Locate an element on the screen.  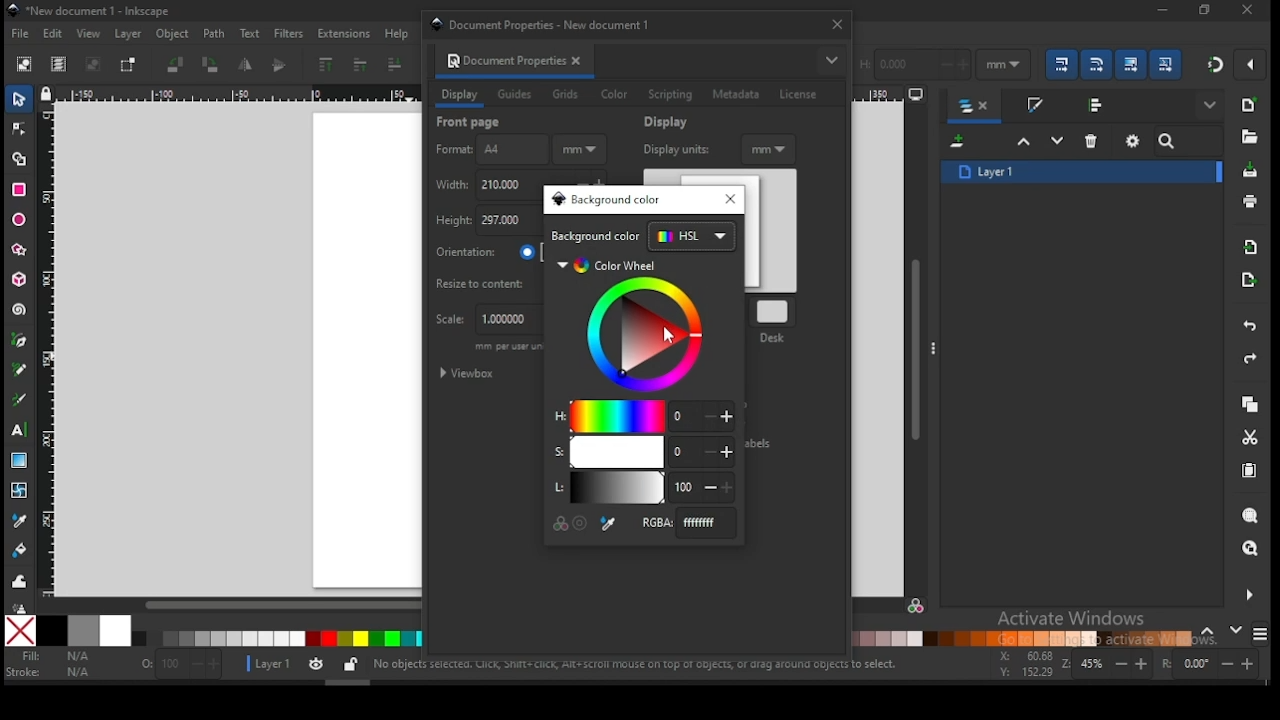
zoom object is located at coordinates (1250, 516).